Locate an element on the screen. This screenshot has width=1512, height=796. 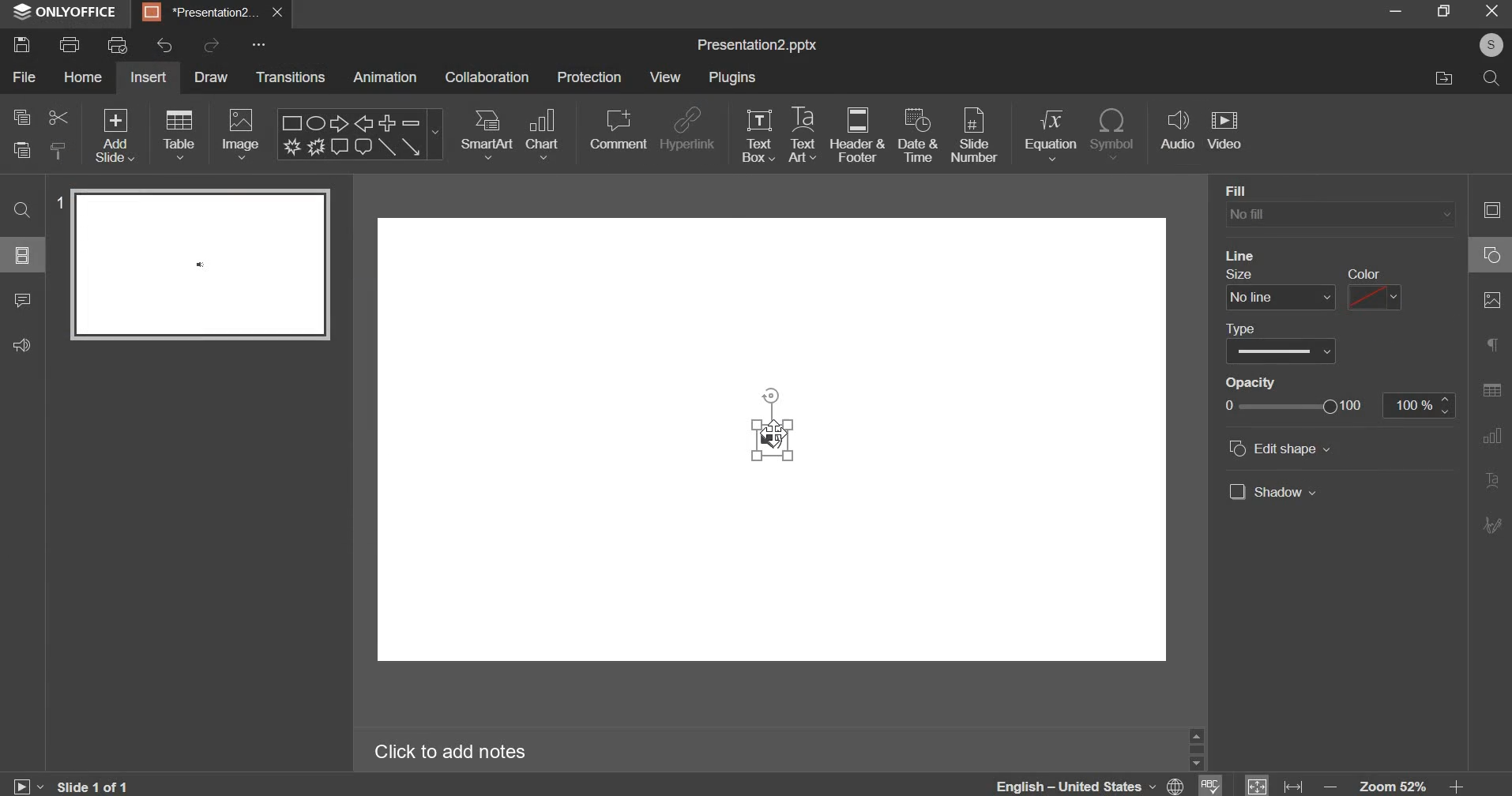
paragraph settings is located at coordinates (1491, 343).